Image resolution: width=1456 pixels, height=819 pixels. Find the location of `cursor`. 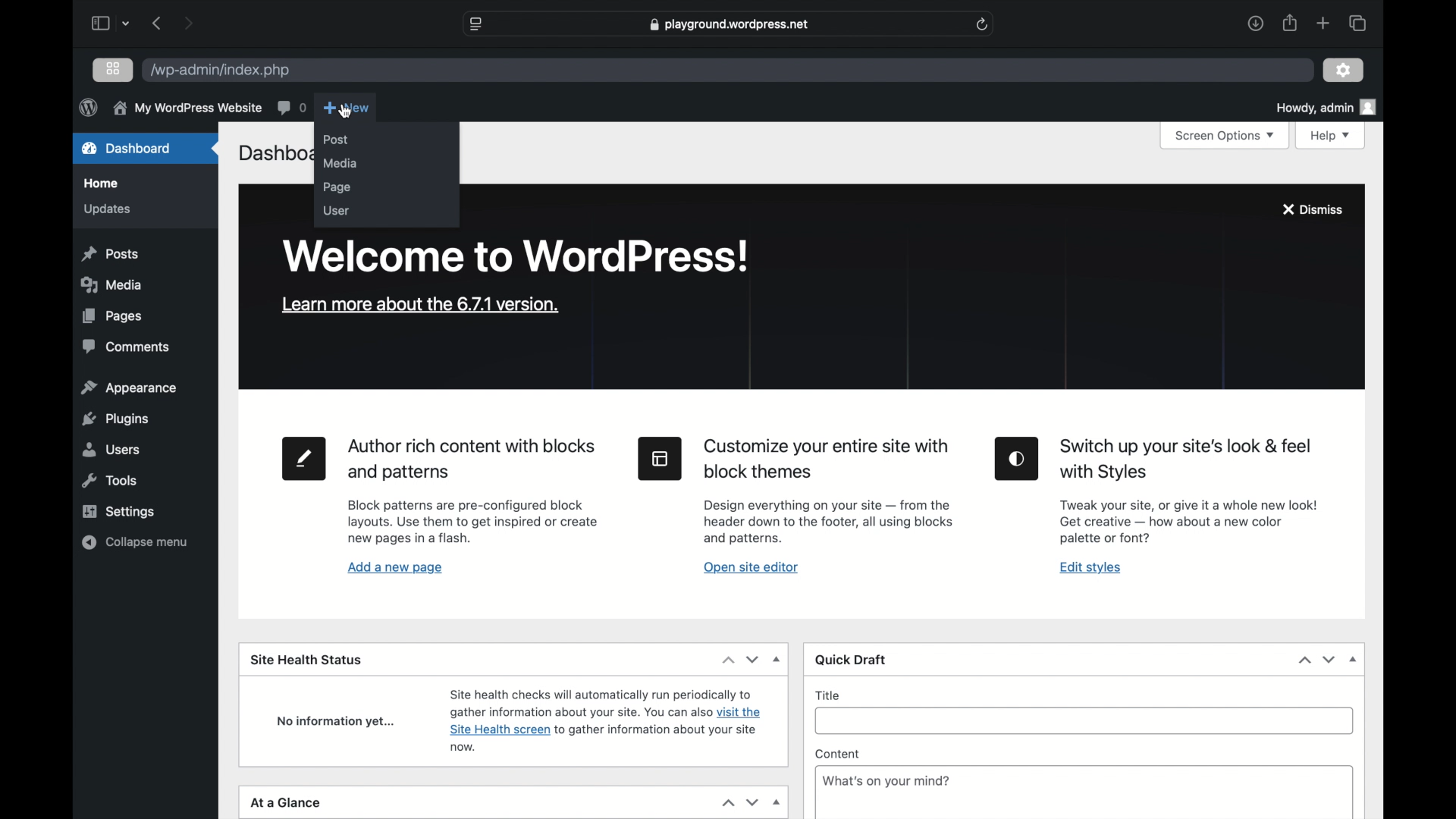

cursor is located at coordinates (345, 111).